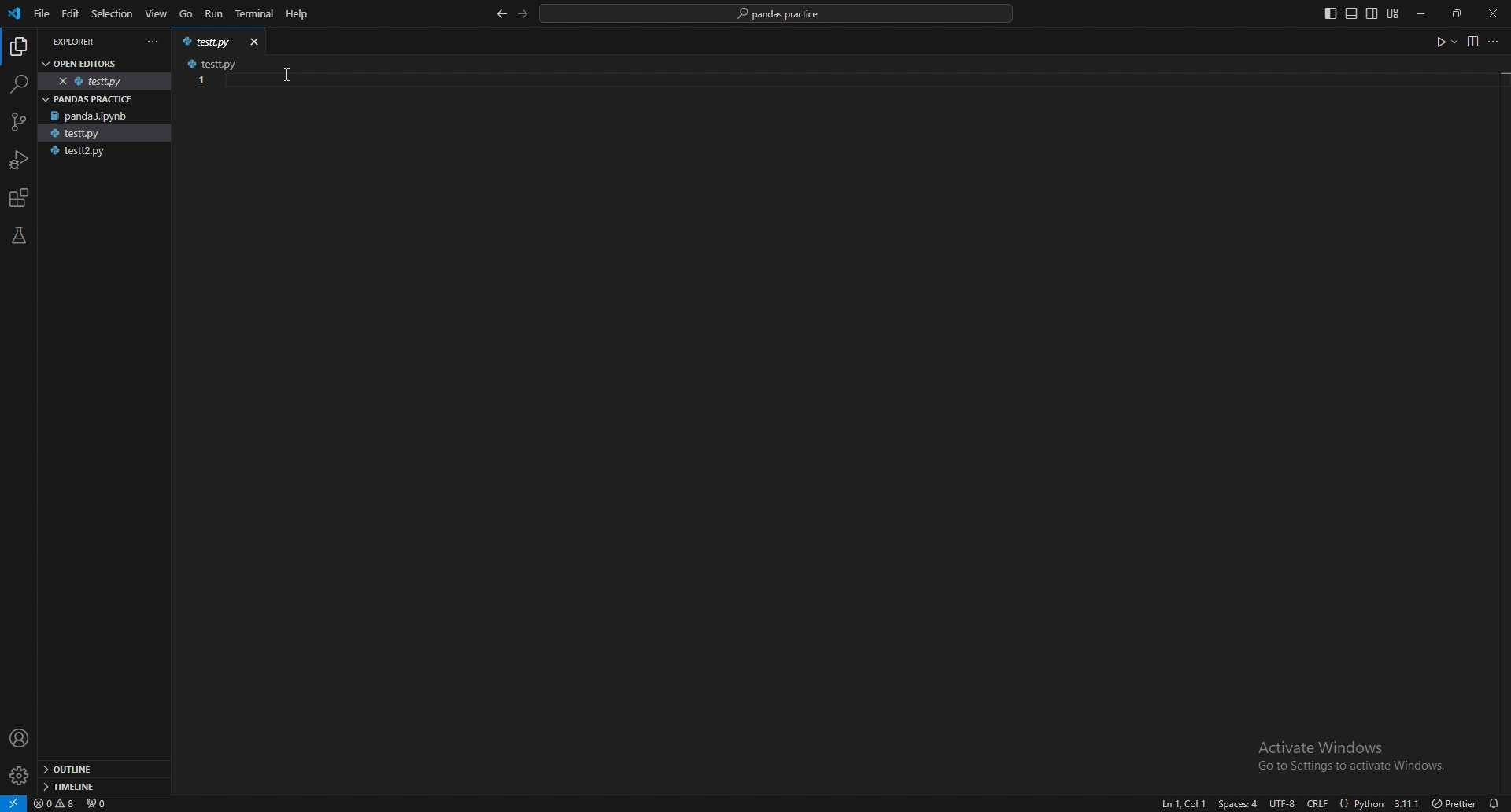 Image resolution: width=1511 pixels, height=812 pixels. What do you see at coordinates (105, 116) in the screenshot?
I see `panda3.ipynb` at bounding box center [105, 116].